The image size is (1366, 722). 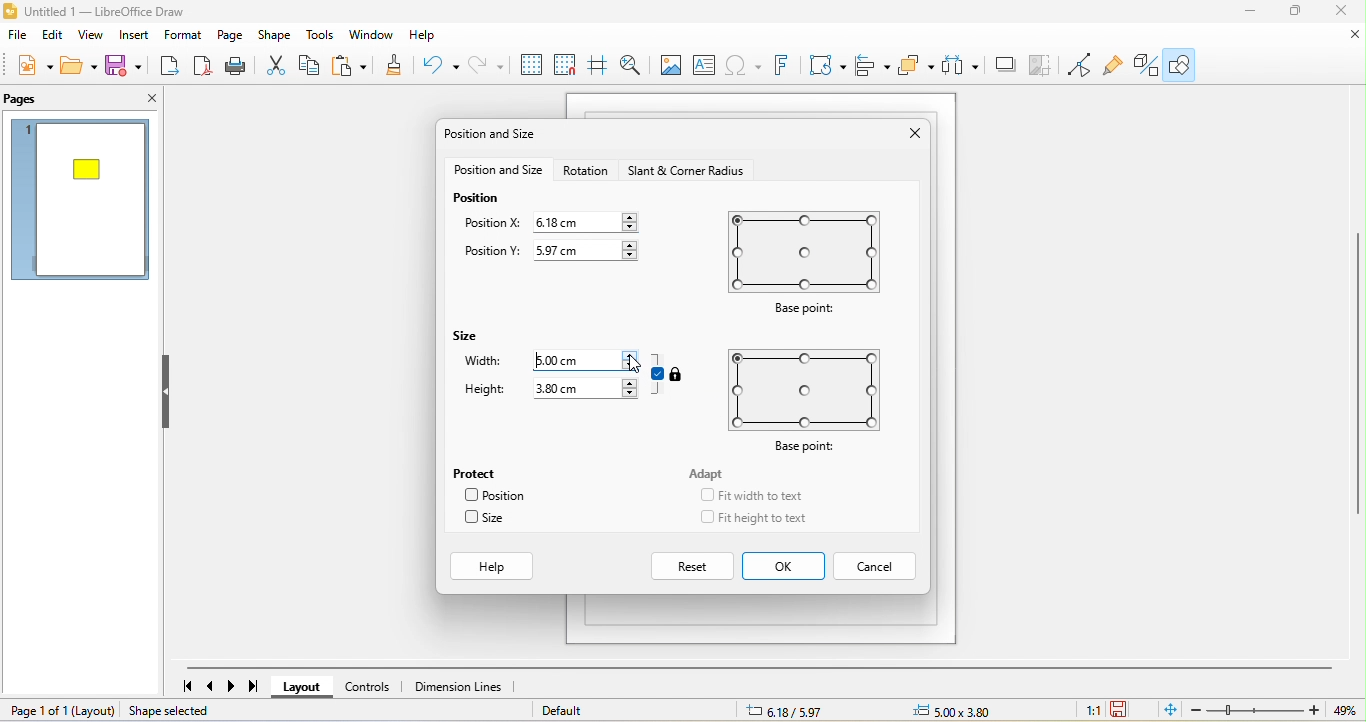 I want to click on snap to grid, so click(x=568, y=65).